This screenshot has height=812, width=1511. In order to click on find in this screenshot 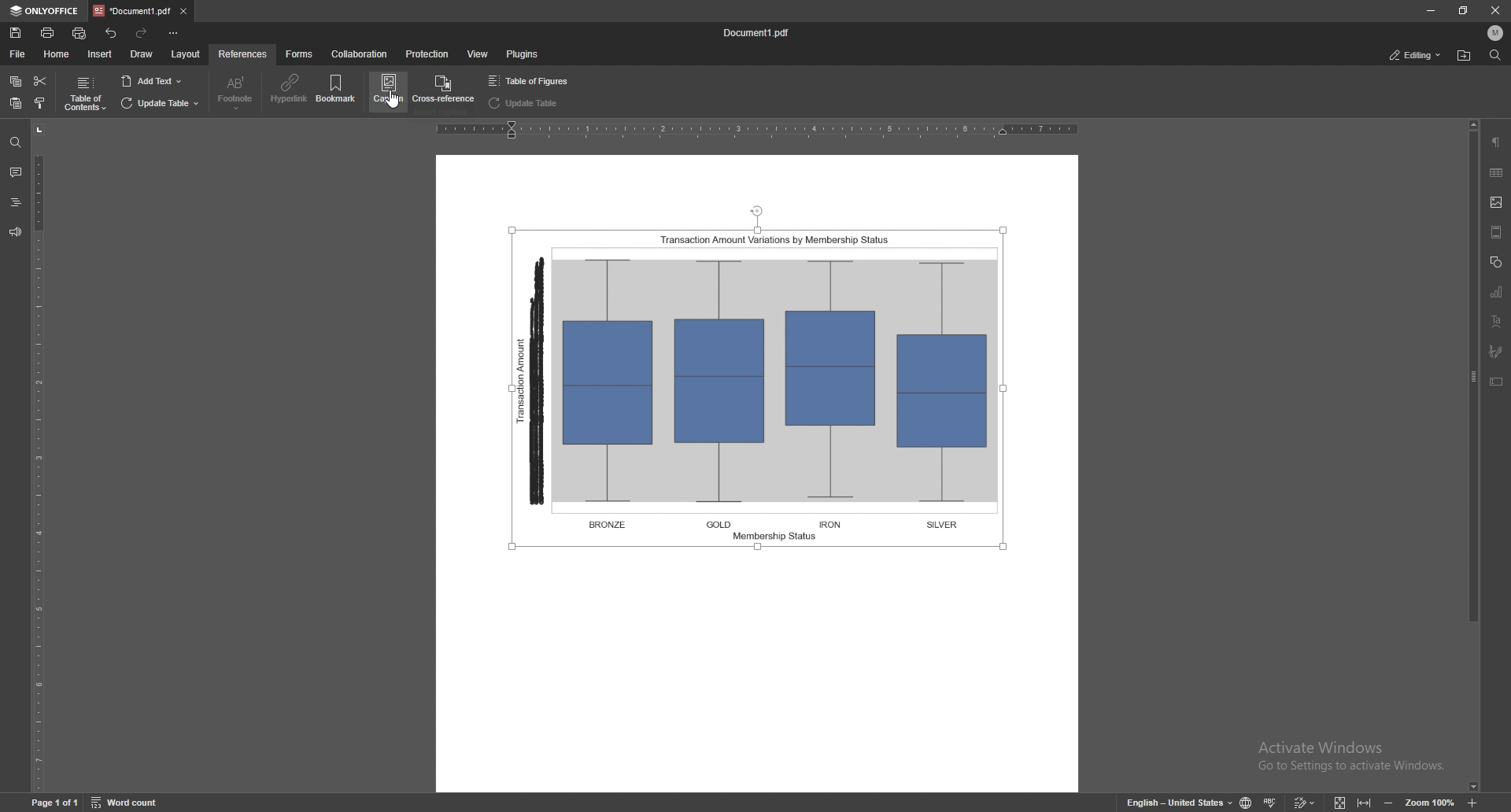, I will do `click(1494, 55)`.